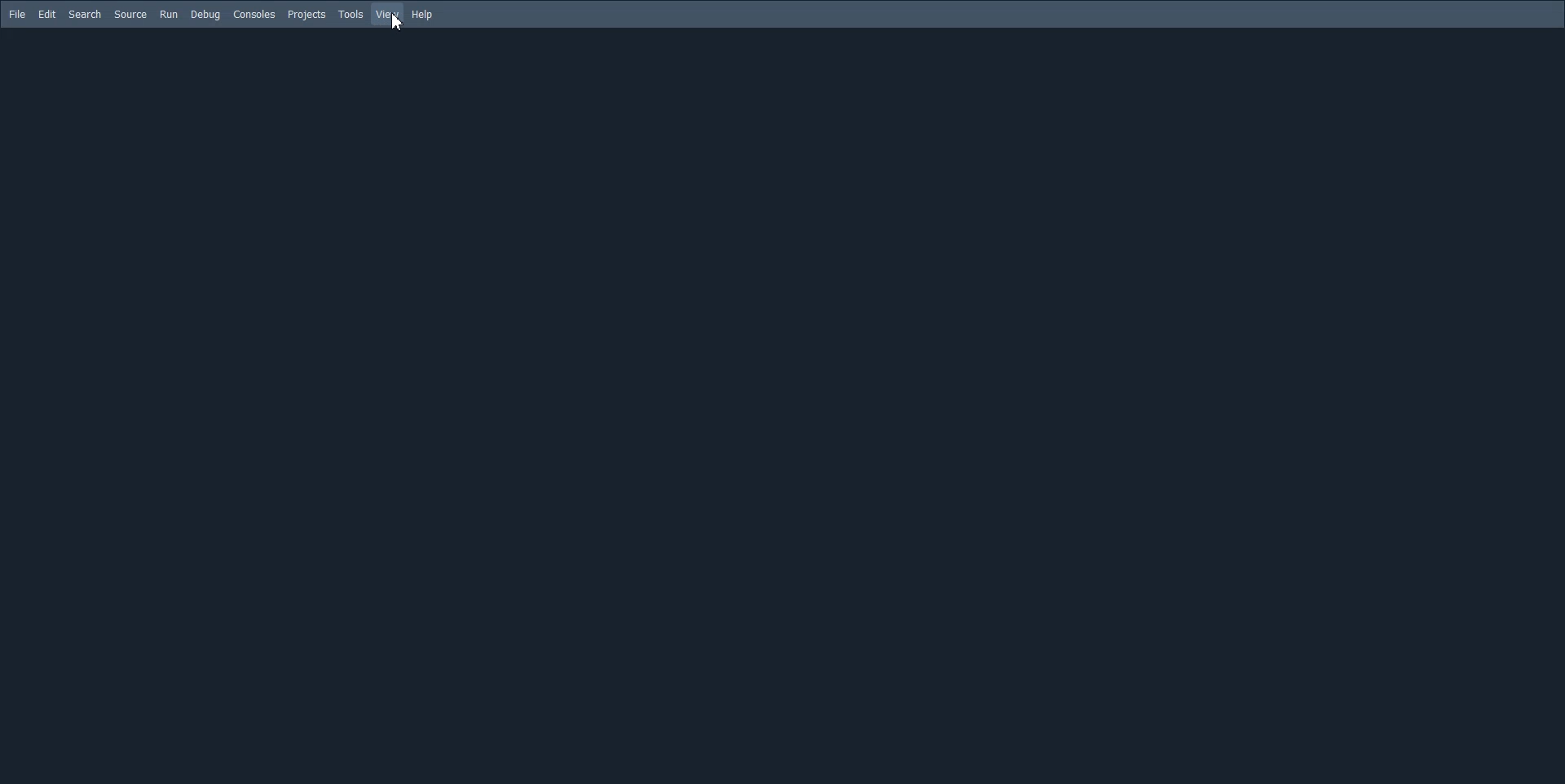 The height and width of the screenshot is (784, 1565). Describe the element at coordinates (388, 15) in the screenshot. I see `View` at that location.